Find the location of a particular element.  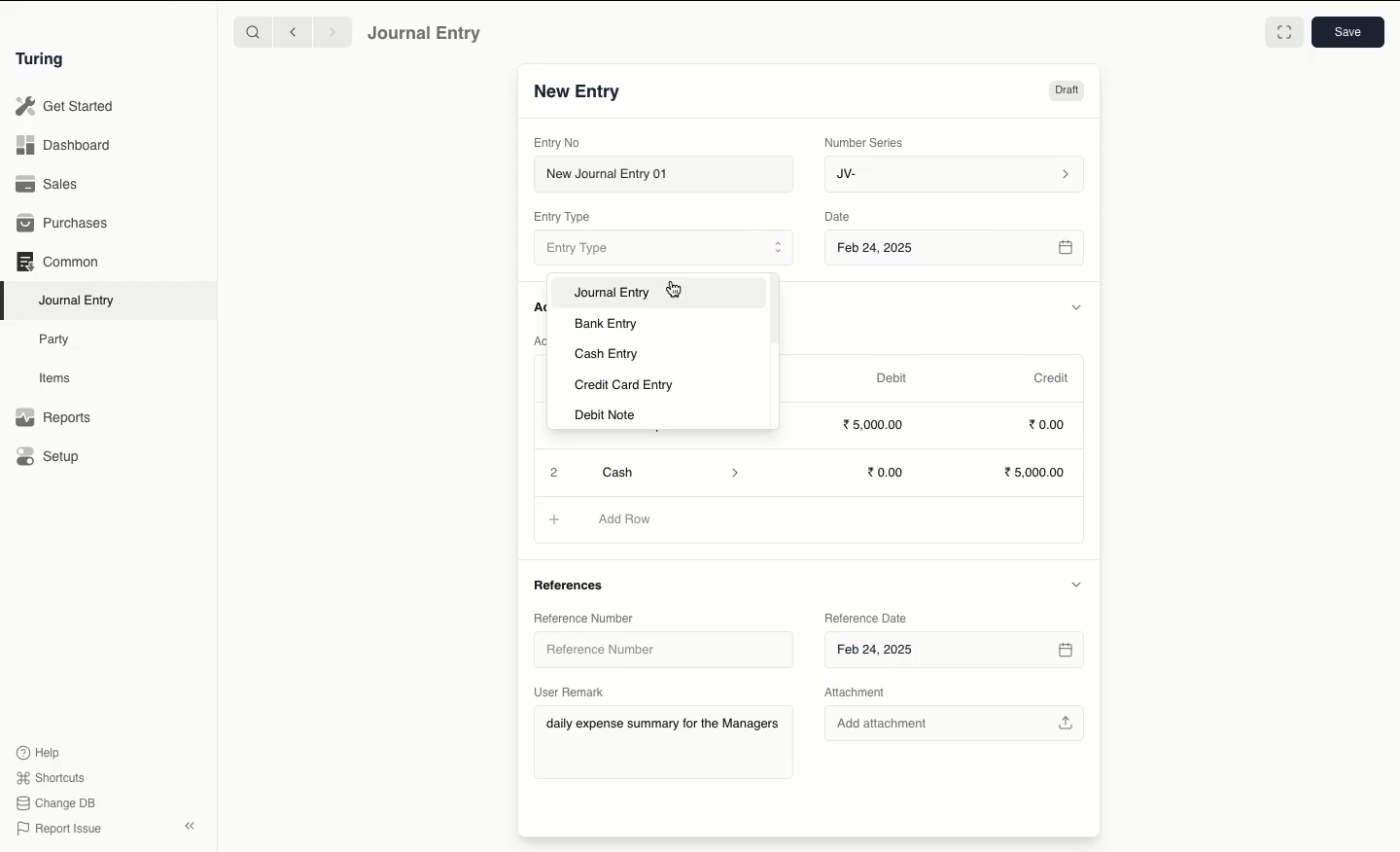

Credit Card Entry is located at coordinates (621, 384).